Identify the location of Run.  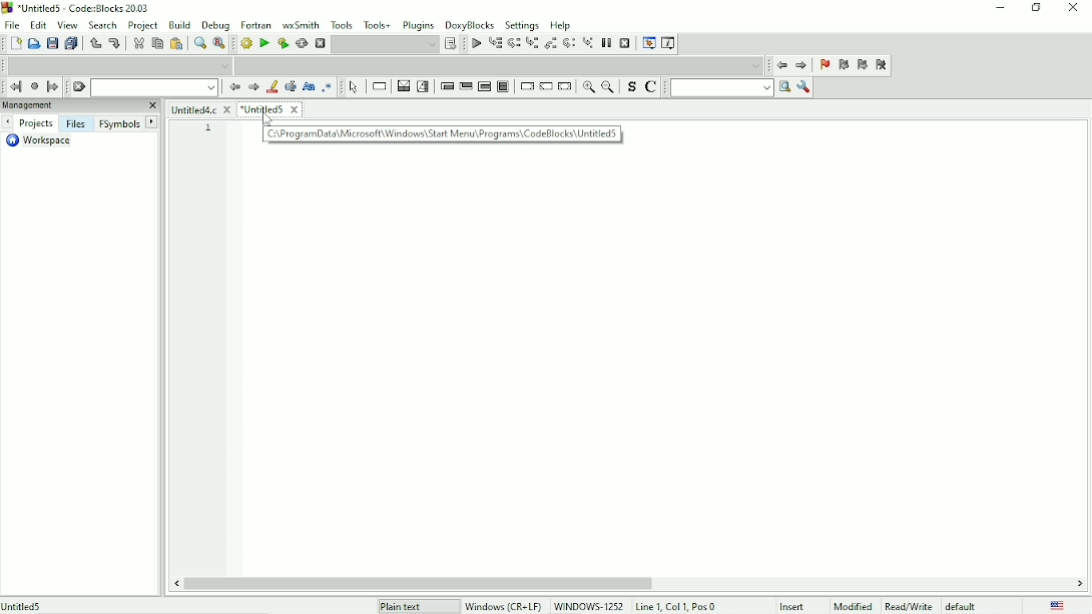
(263, 44).